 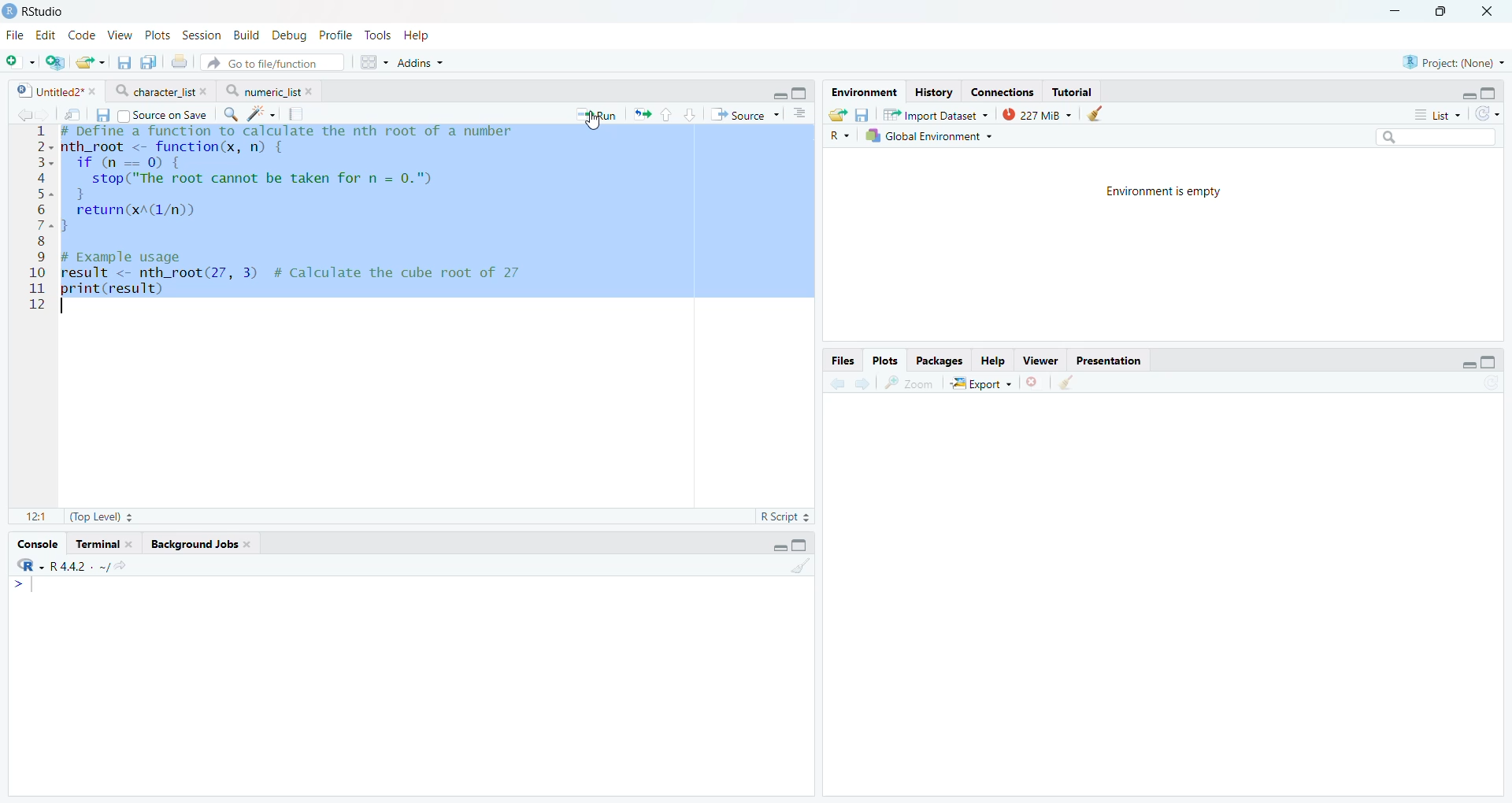 What do you see at coordinates (1110, 359) in the screenshot?
I see `Presentation` at bounding box center [1110, 359].